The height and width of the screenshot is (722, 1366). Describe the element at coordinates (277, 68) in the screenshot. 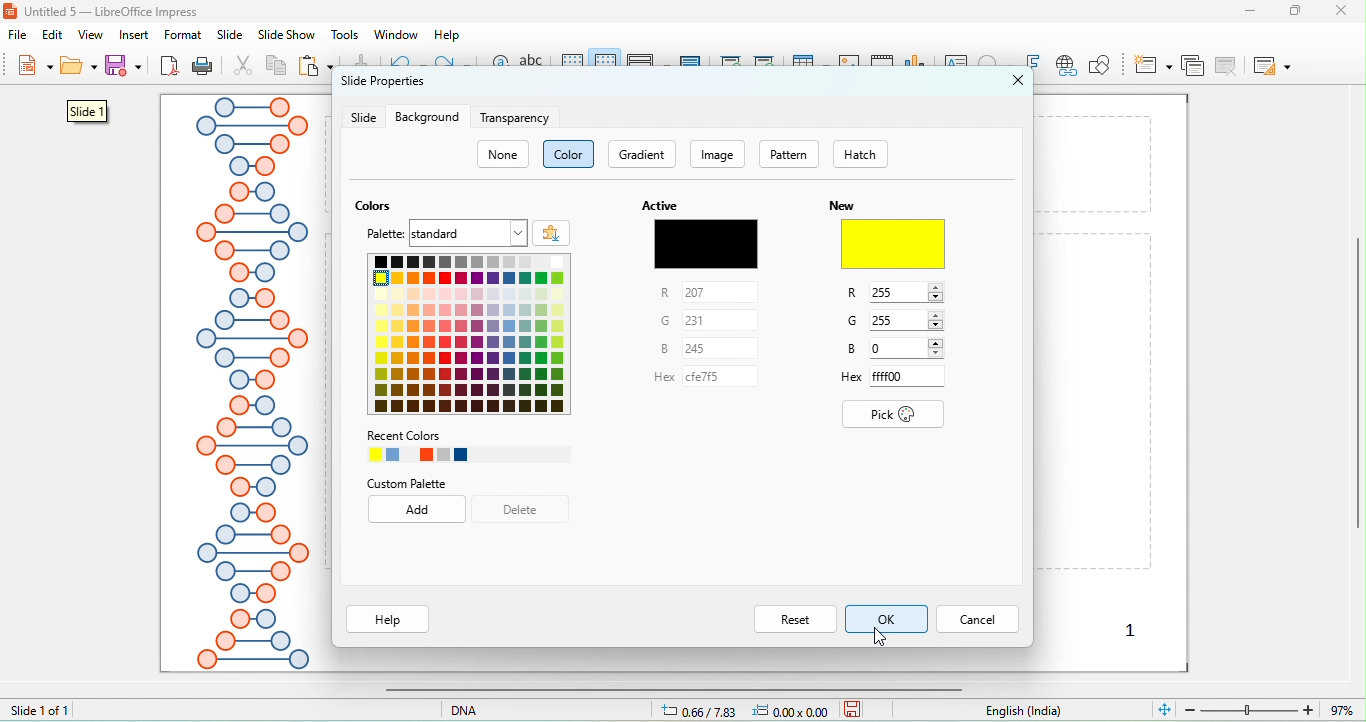

I see `copy` at that location.